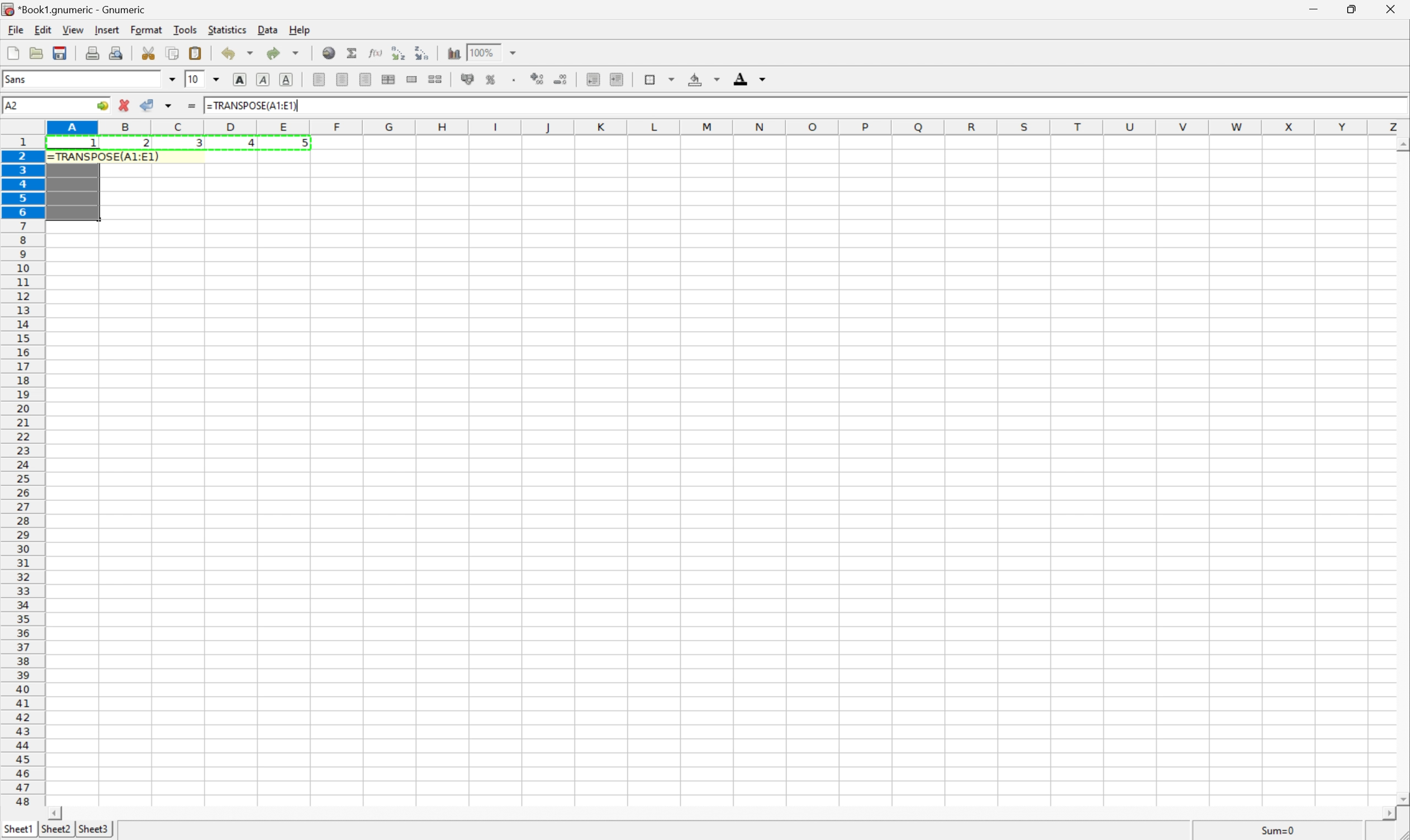 This screenshot has width=1410, height=840. What do you see at coordinates (147, 52) in the screenshot?
I see `cut` at bounding box center [147, 52].